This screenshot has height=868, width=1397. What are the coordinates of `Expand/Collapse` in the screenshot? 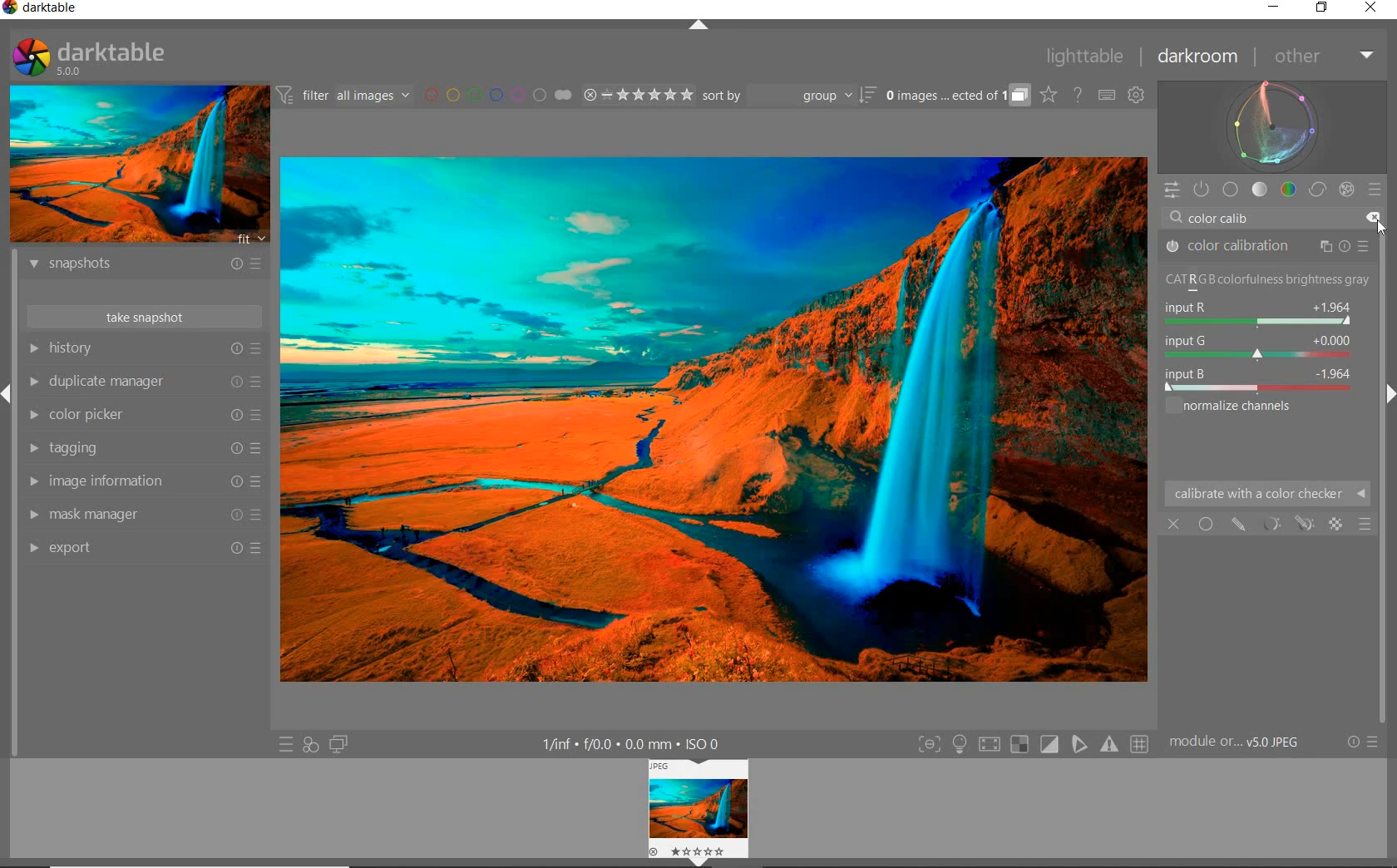 It's located at (1389, 397).